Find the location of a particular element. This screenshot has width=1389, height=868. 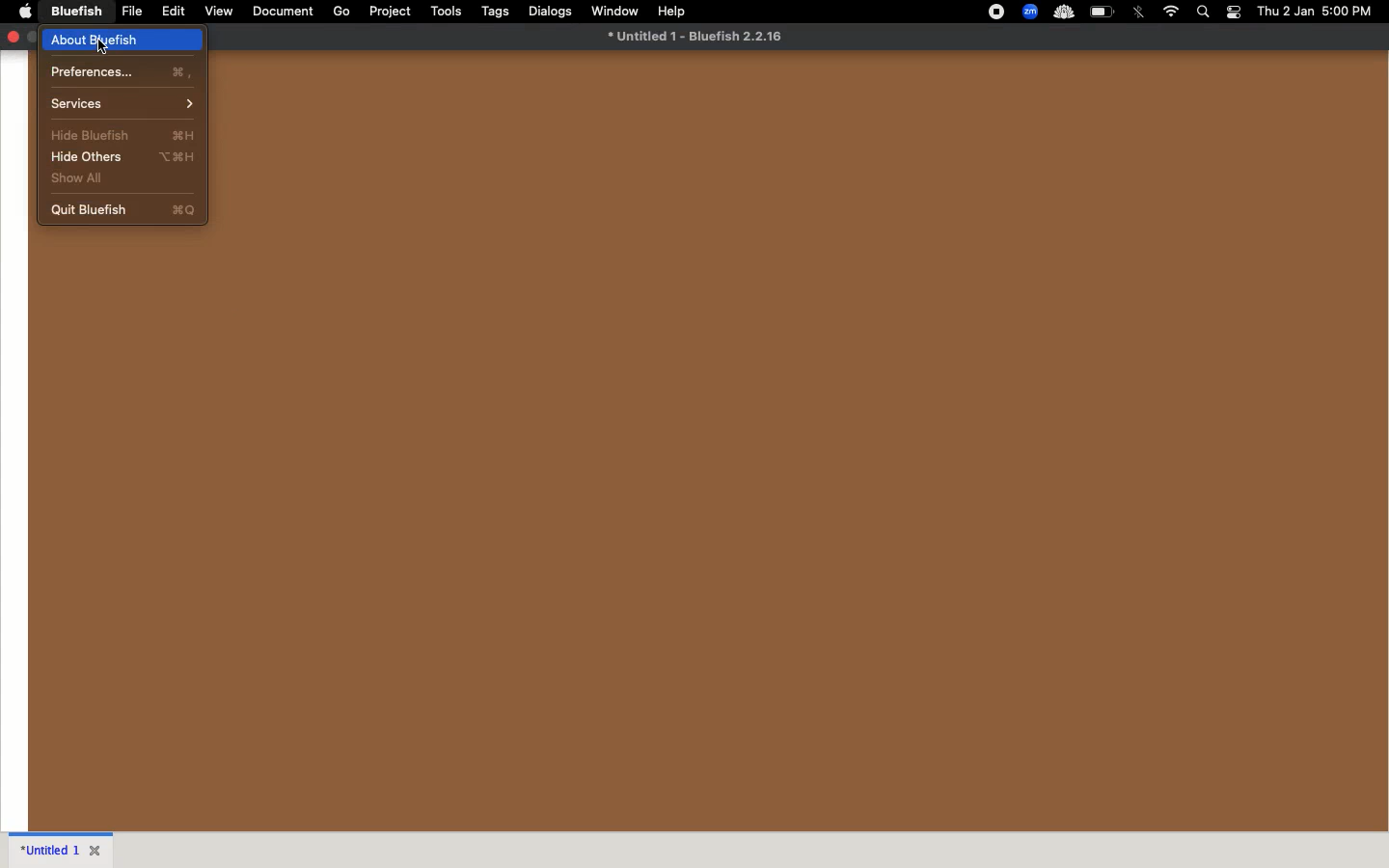

document is located at coordinates (286, 13).